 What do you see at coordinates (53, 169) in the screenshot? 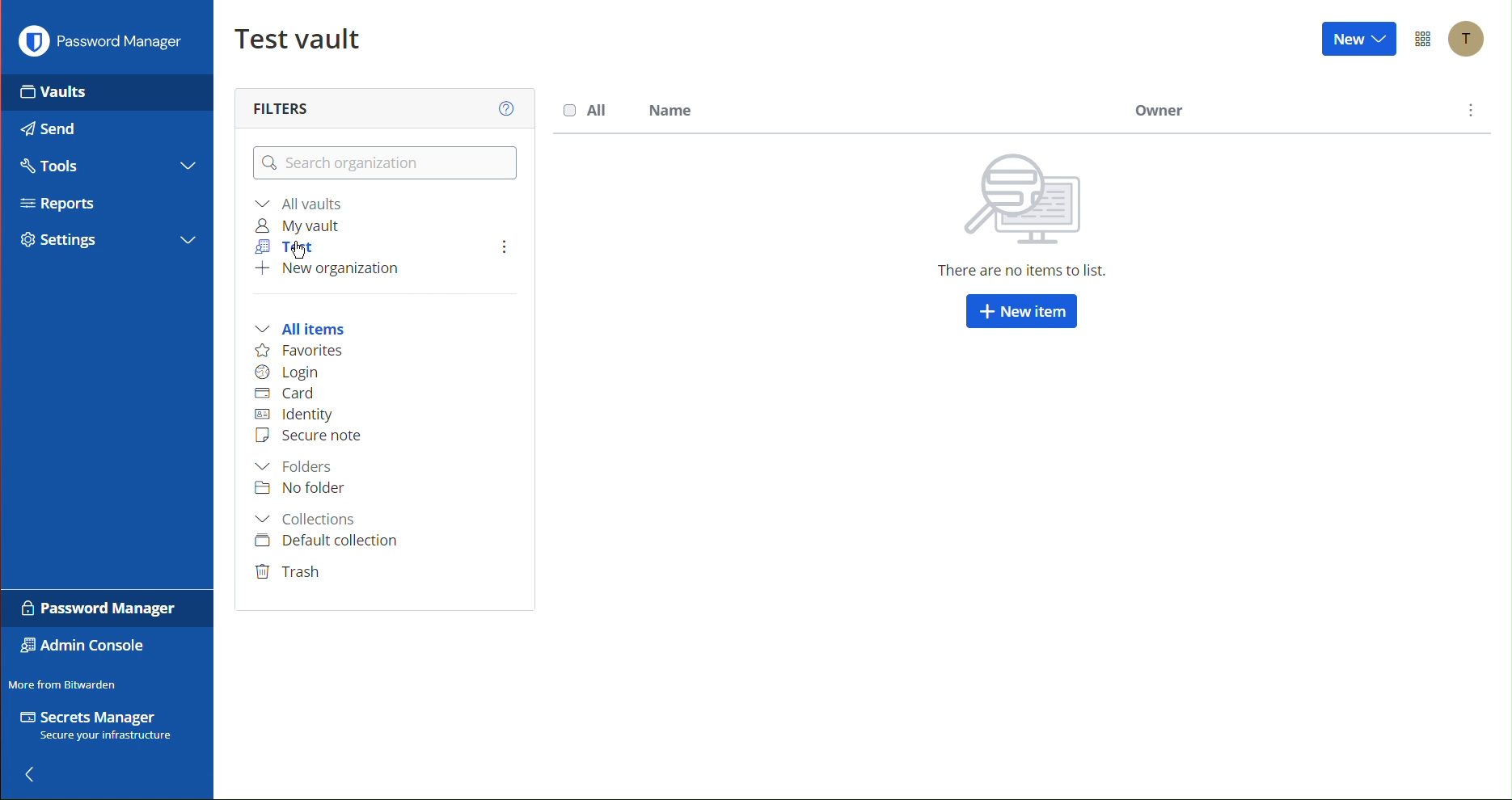
I see `Tools` at bounding box center [53, 169].